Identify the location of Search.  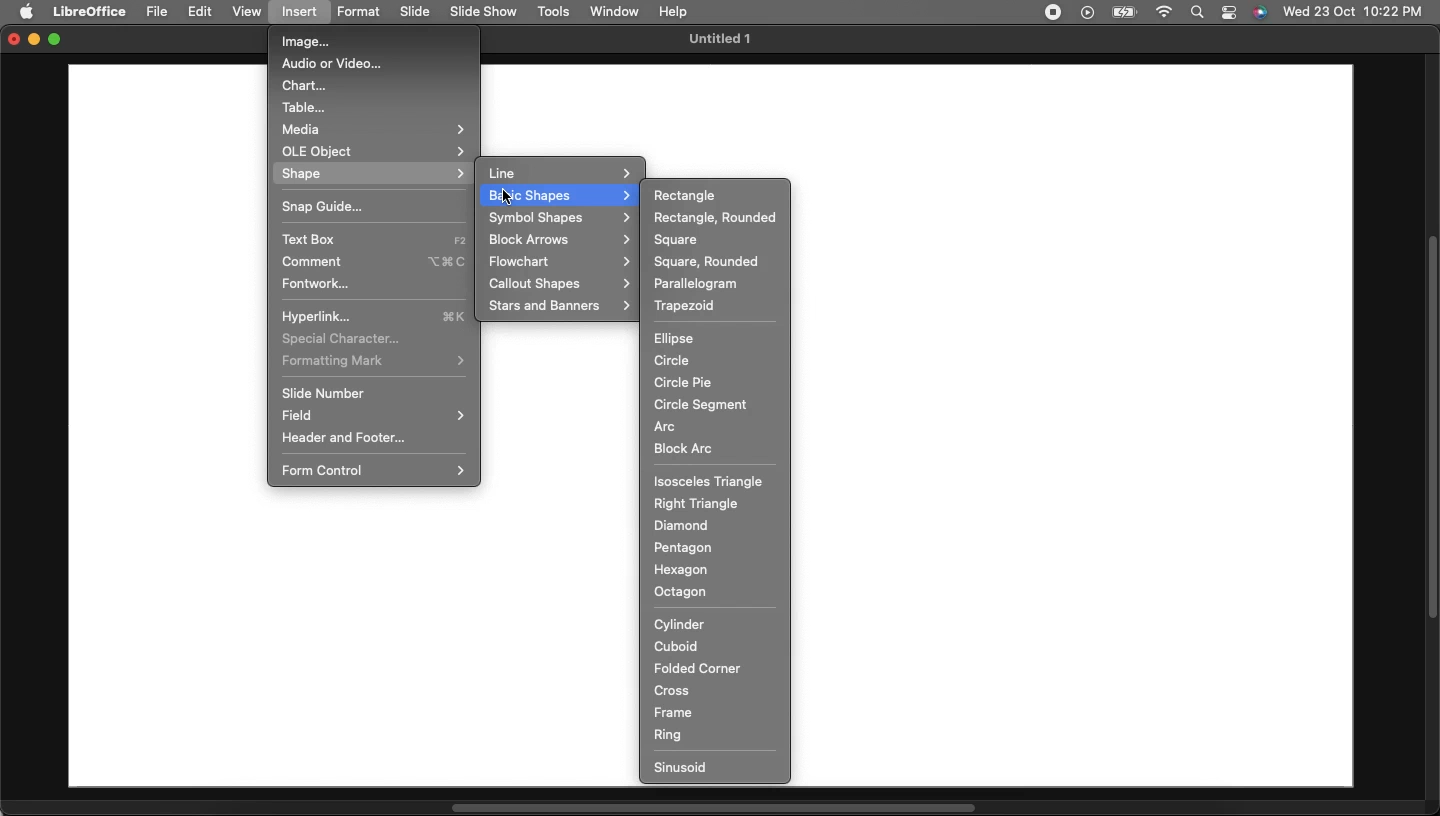
(1196, 13).